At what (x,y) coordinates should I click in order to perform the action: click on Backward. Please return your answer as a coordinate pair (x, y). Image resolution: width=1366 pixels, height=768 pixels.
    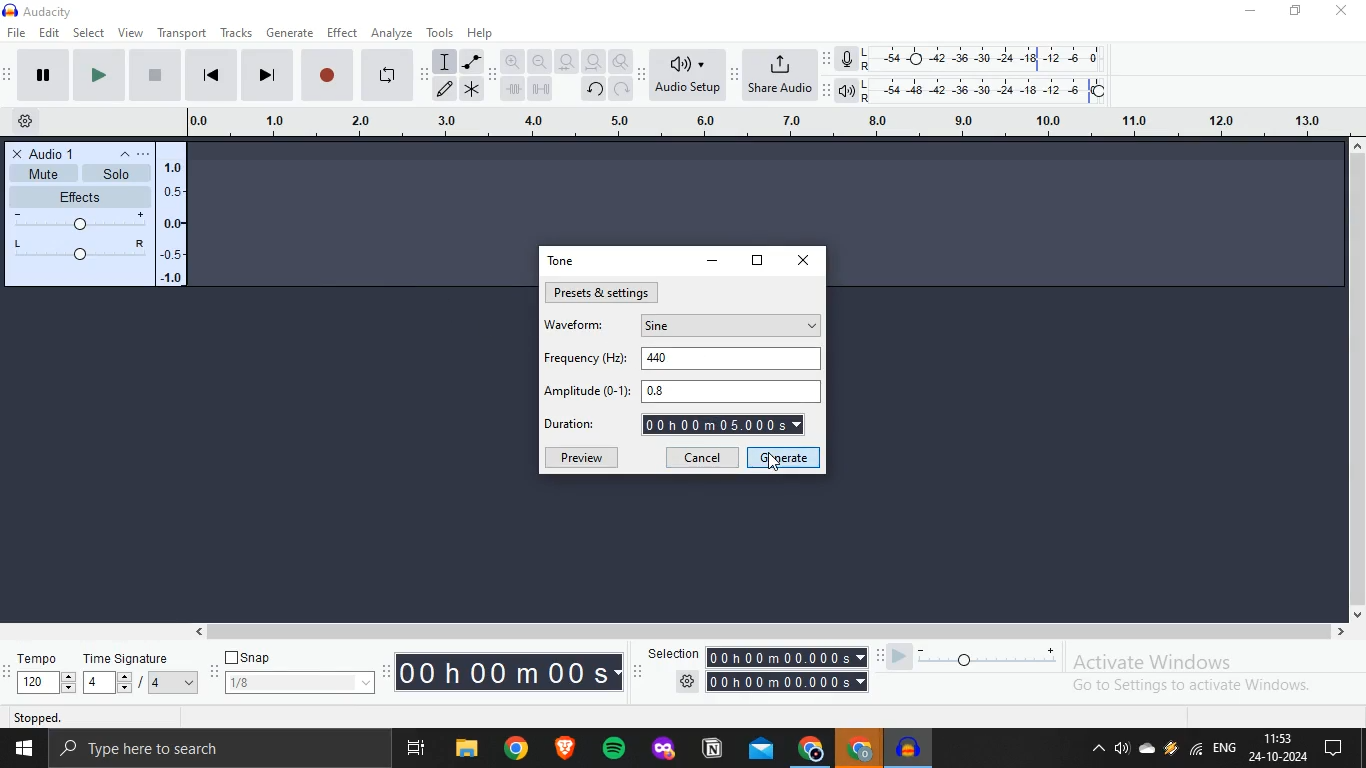
    Looking at the image, I should click on (216, 76).